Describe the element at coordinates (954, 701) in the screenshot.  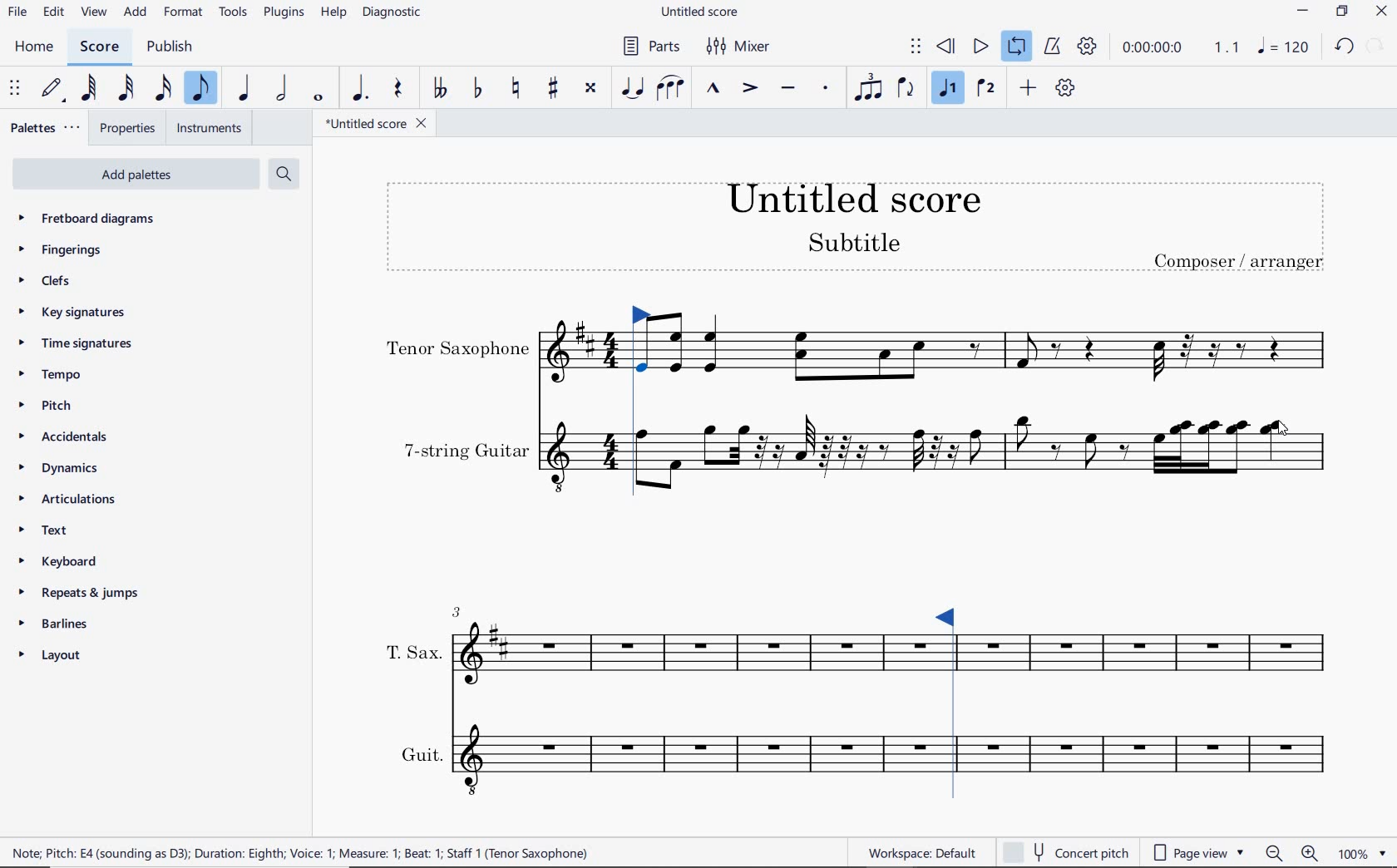
I see `Loop Market set right` at that location.